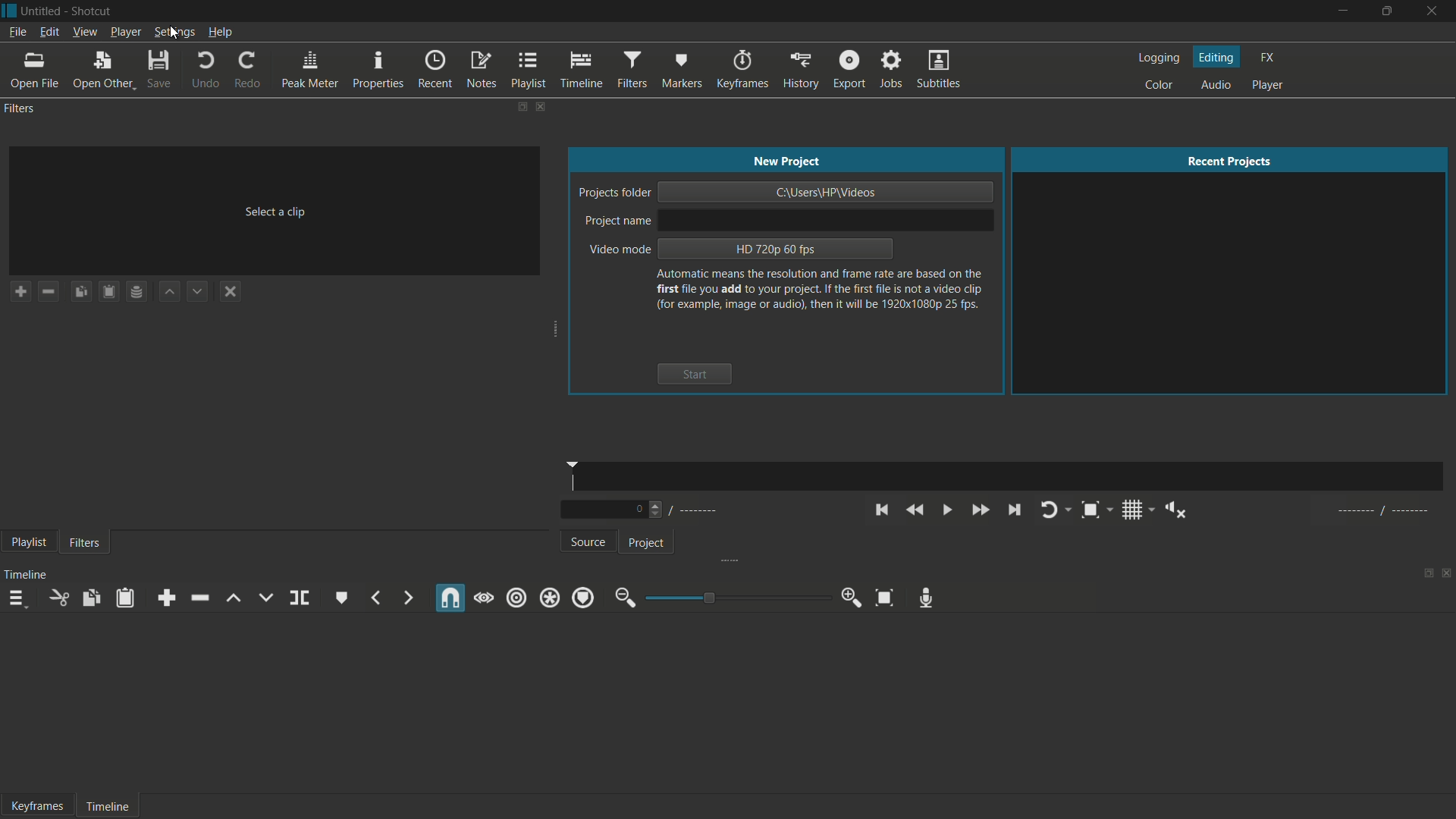  I want to click on edit menu, so click(48, 32).